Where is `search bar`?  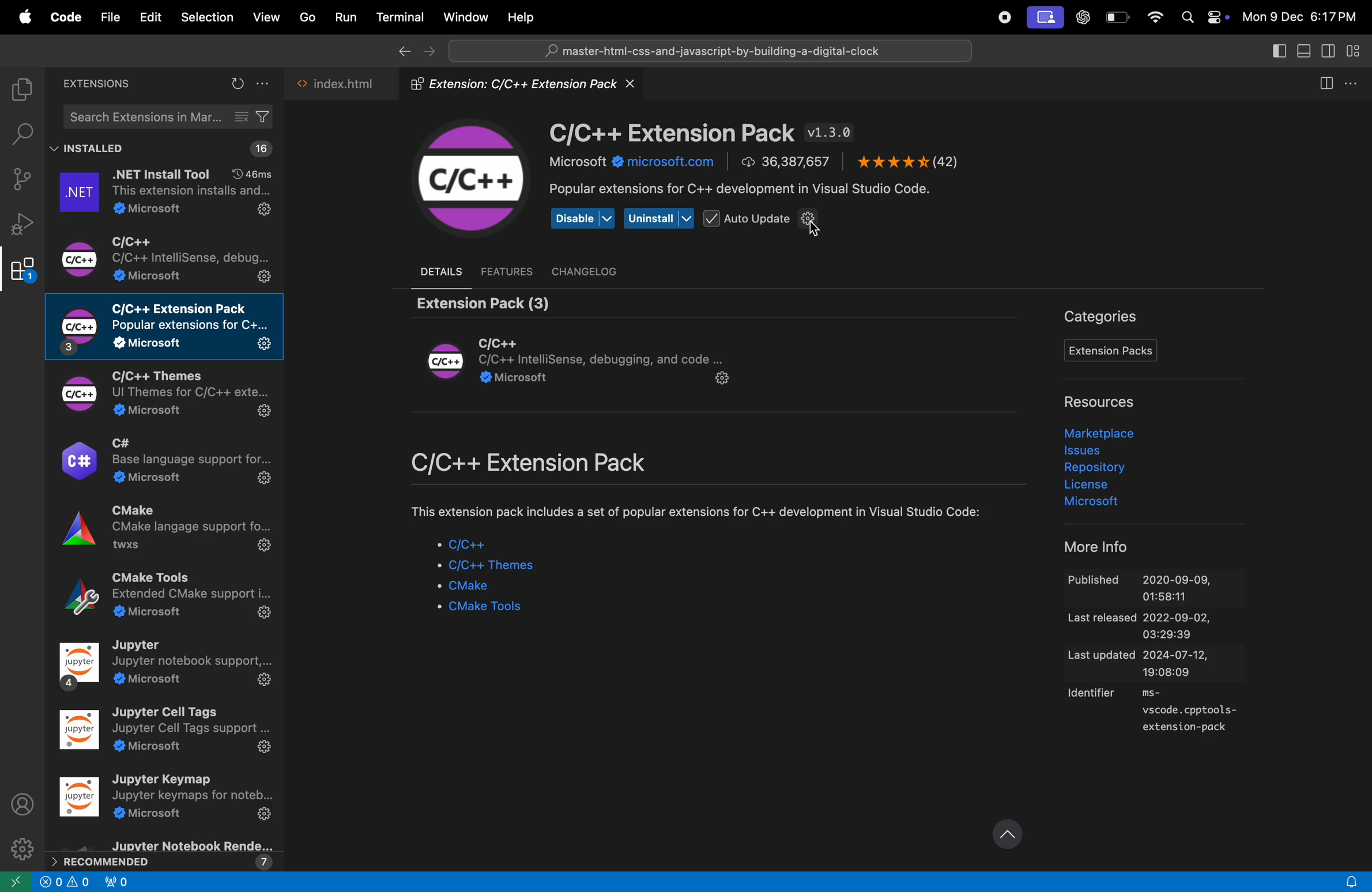 search bar is located at coordinates (710, 50).